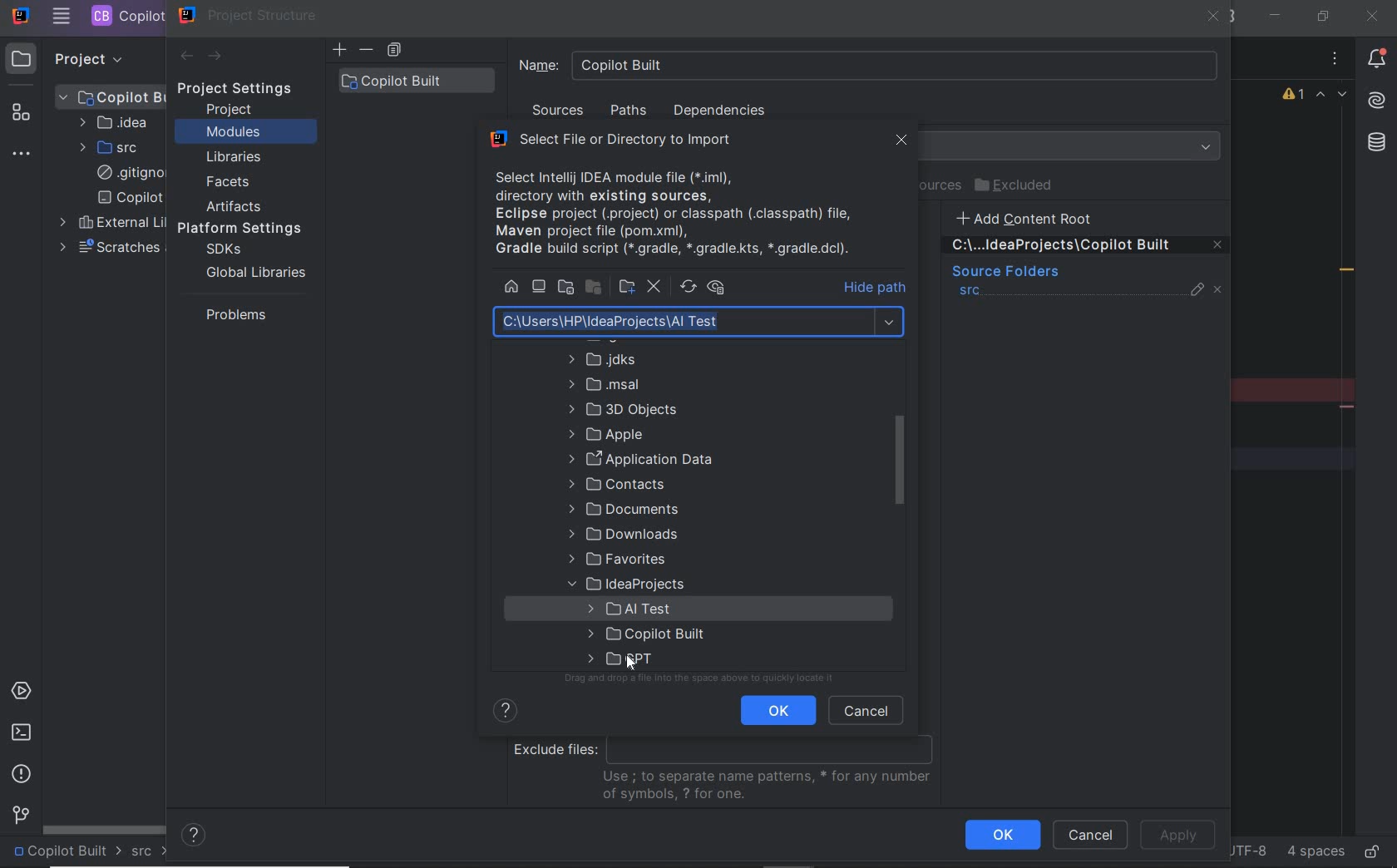  Describe the element at coordinates (222, 250) in the screenshot. I see `sdks` at that location.